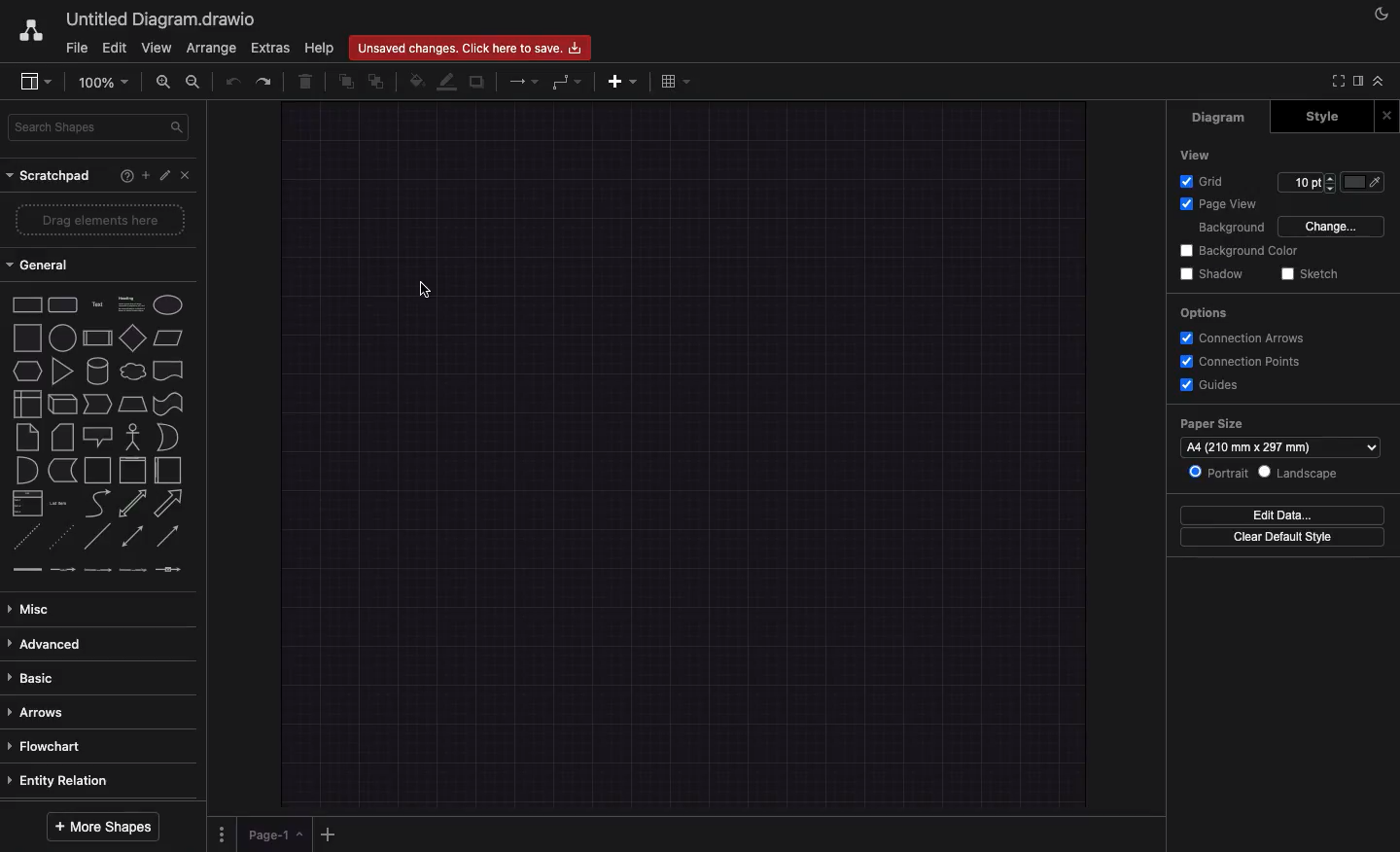 This screenshot has width=1400, height=852. Describe the element at coordinates (24, 470) in the screenshot. I see `or` at that location.